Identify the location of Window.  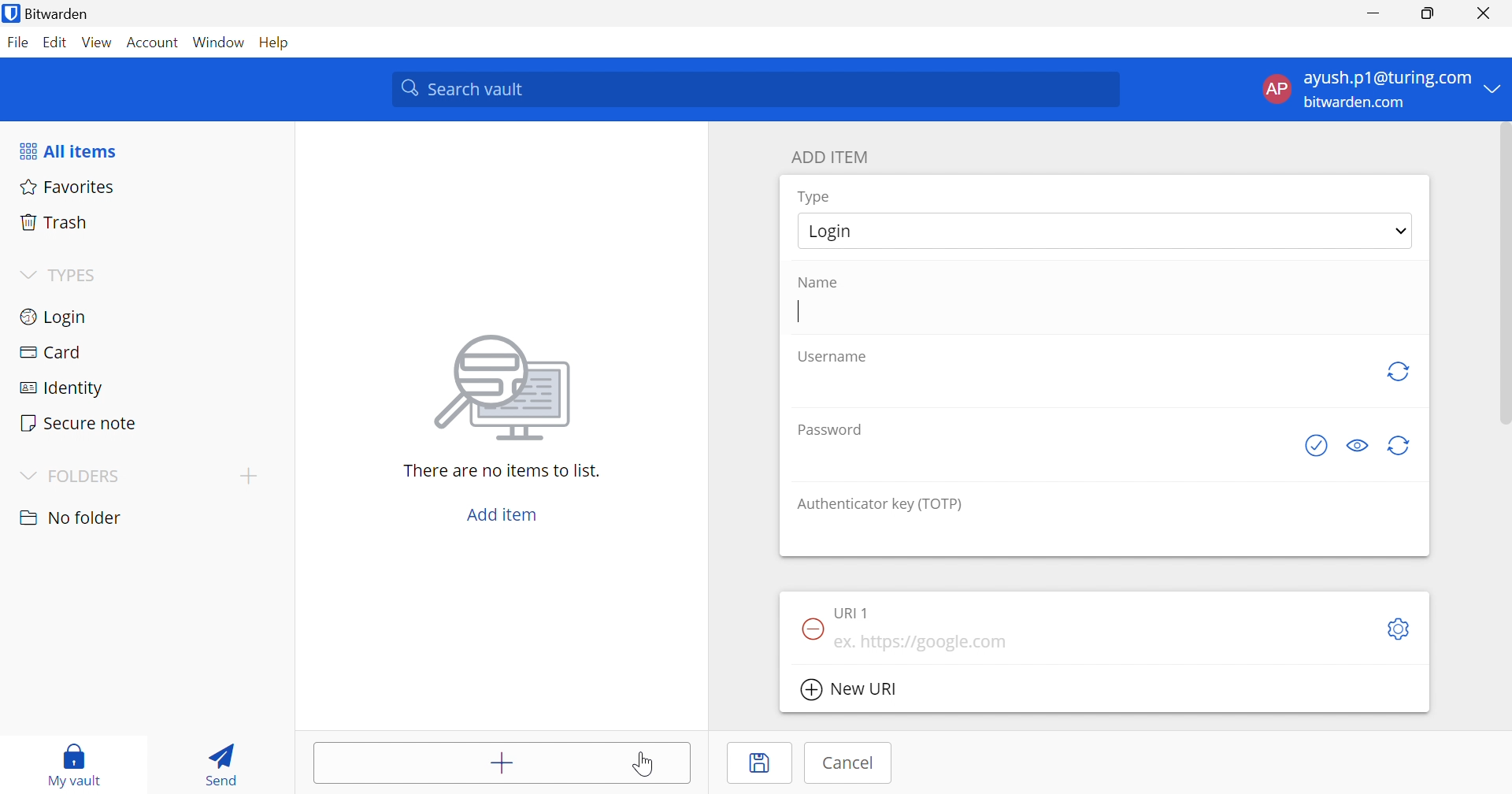
(218, 40).